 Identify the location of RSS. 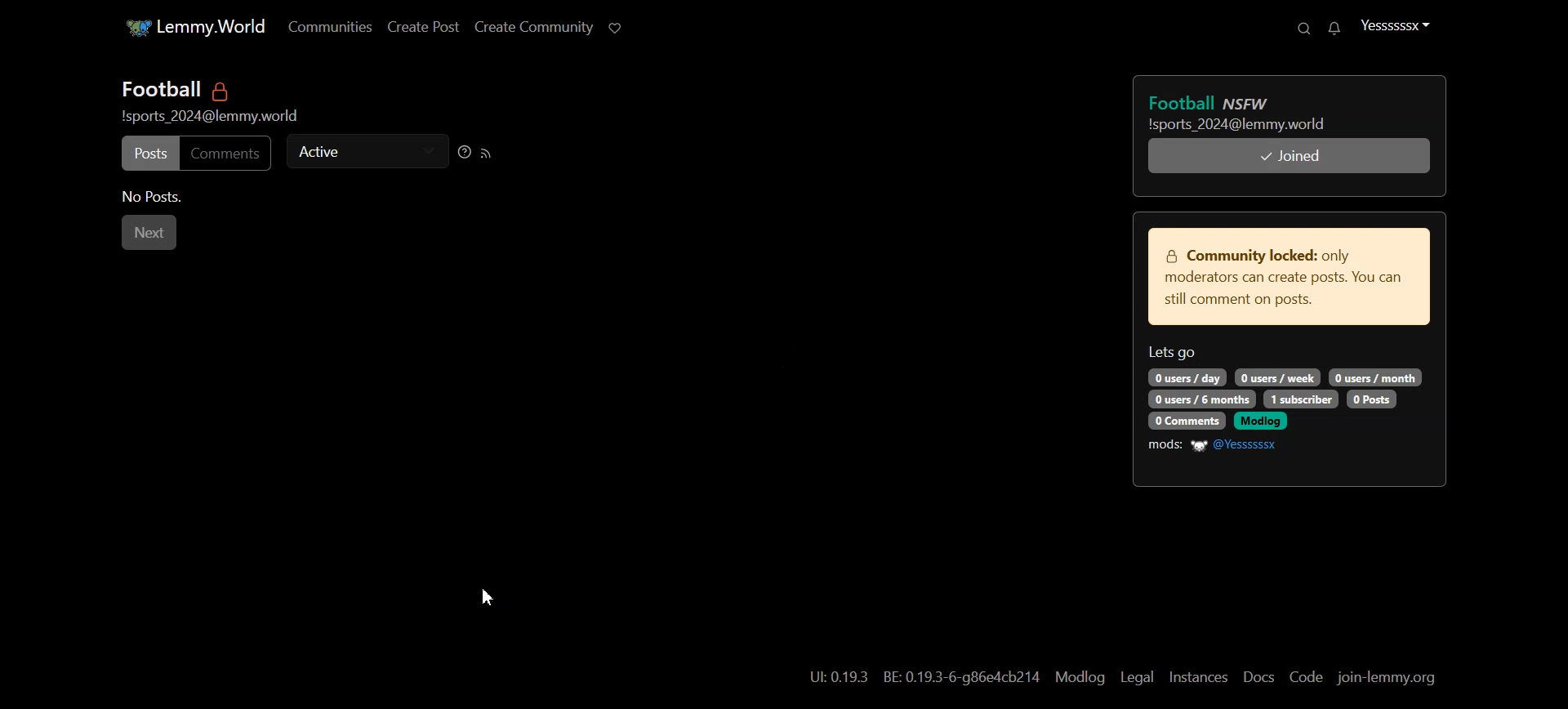
(485, 151).